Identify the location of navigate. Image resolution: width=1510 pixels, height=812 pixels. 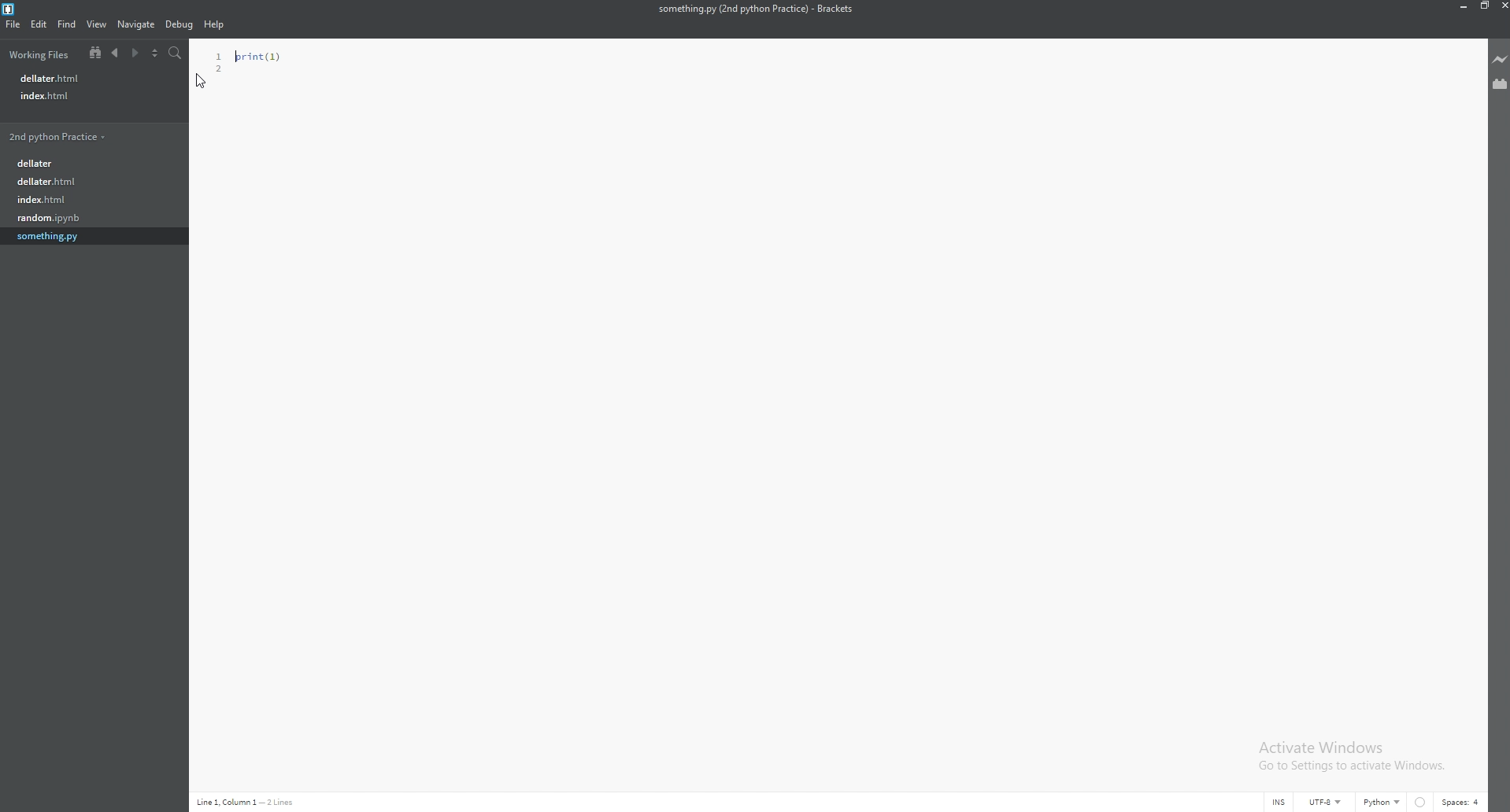
(137, 24).